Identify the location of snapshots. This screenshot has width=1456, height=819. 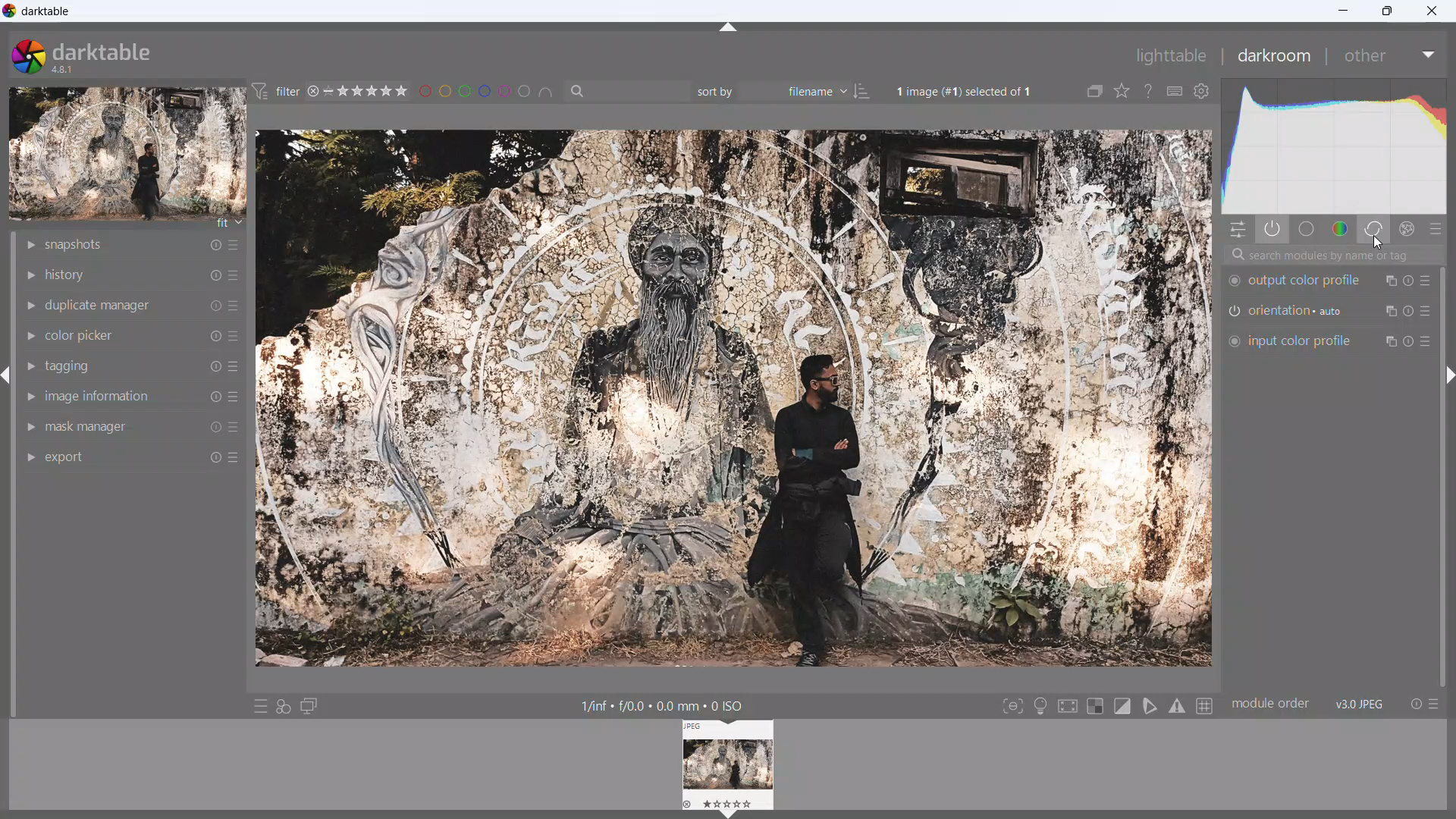
(74, 245).